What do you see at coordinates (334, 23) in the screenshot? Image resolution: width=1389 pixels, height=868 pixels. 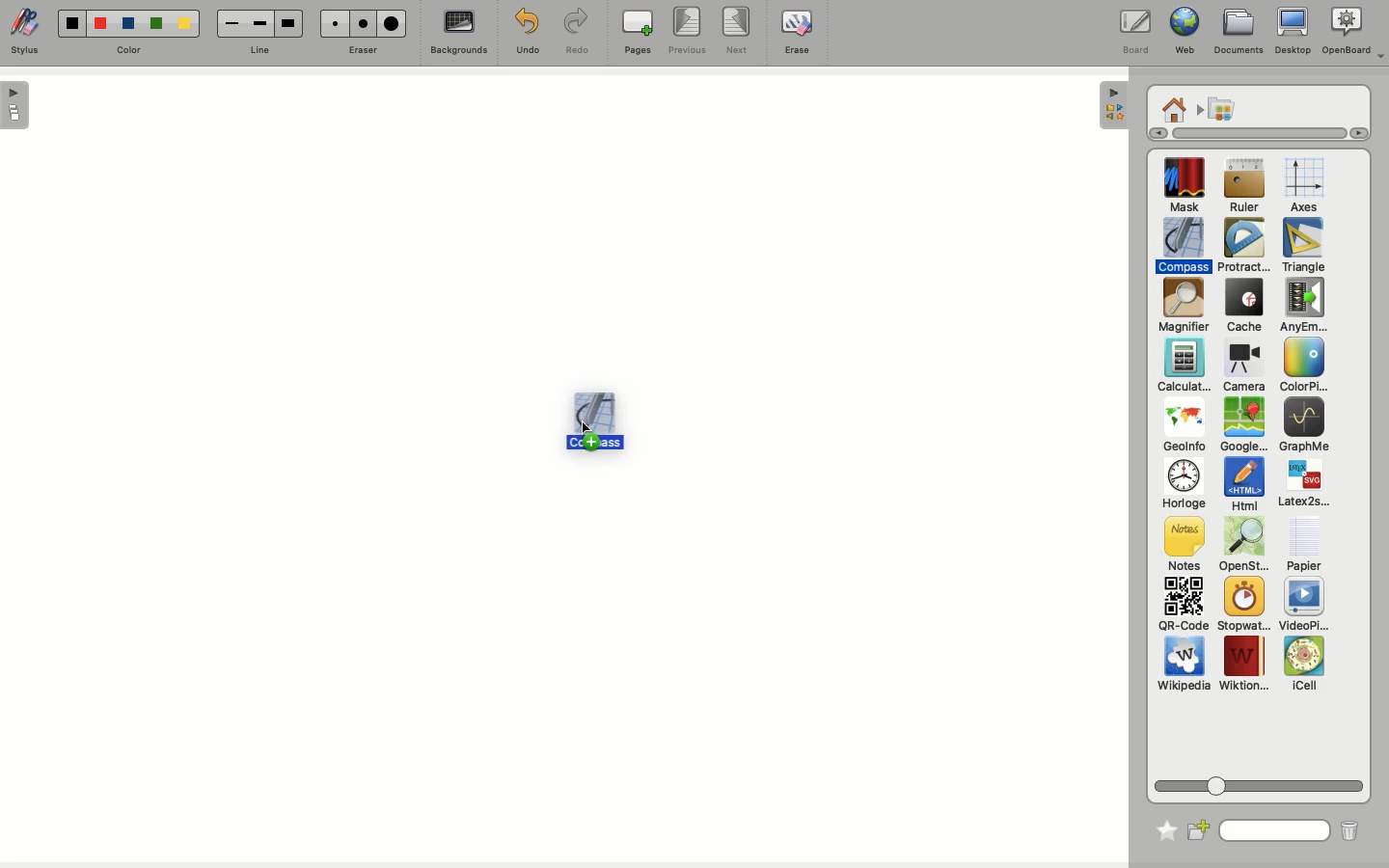 I see `eraser1` at bounding box center [334, 23].